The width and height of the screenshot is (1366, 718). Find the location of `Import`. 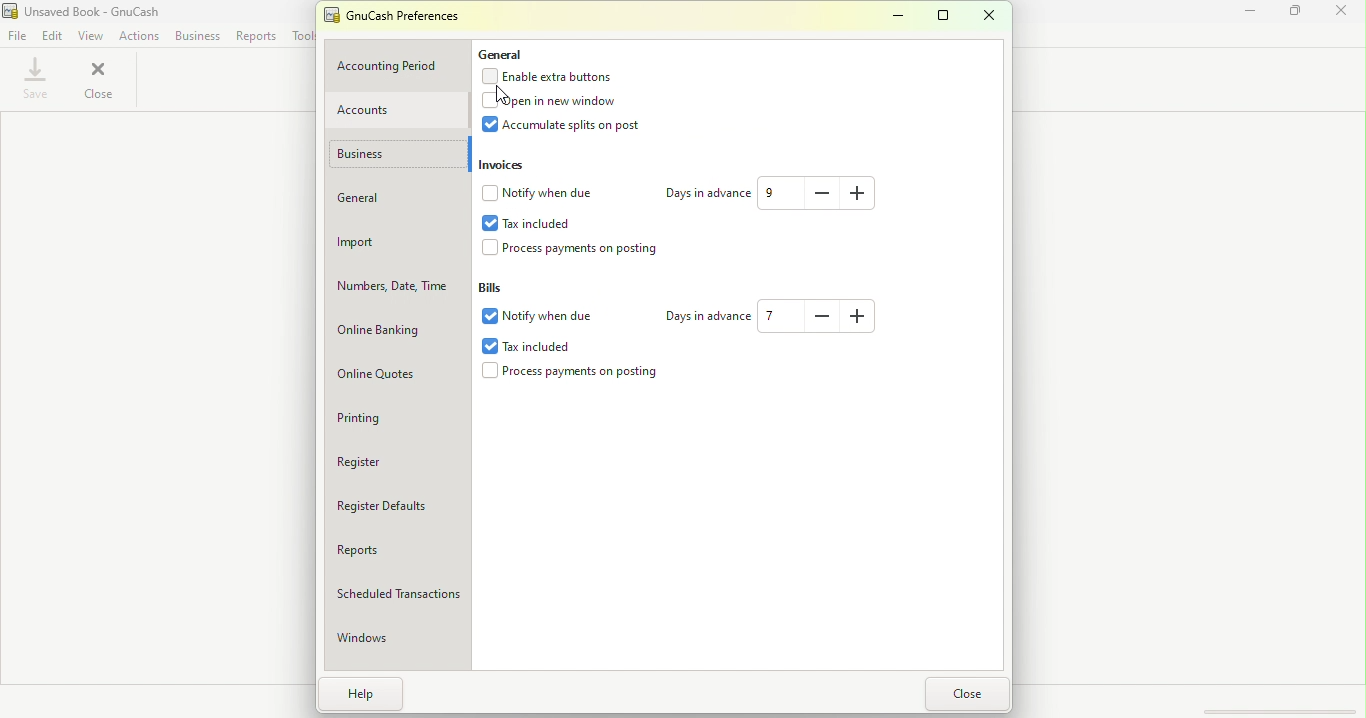

Import is located at coordinates (390, 243).